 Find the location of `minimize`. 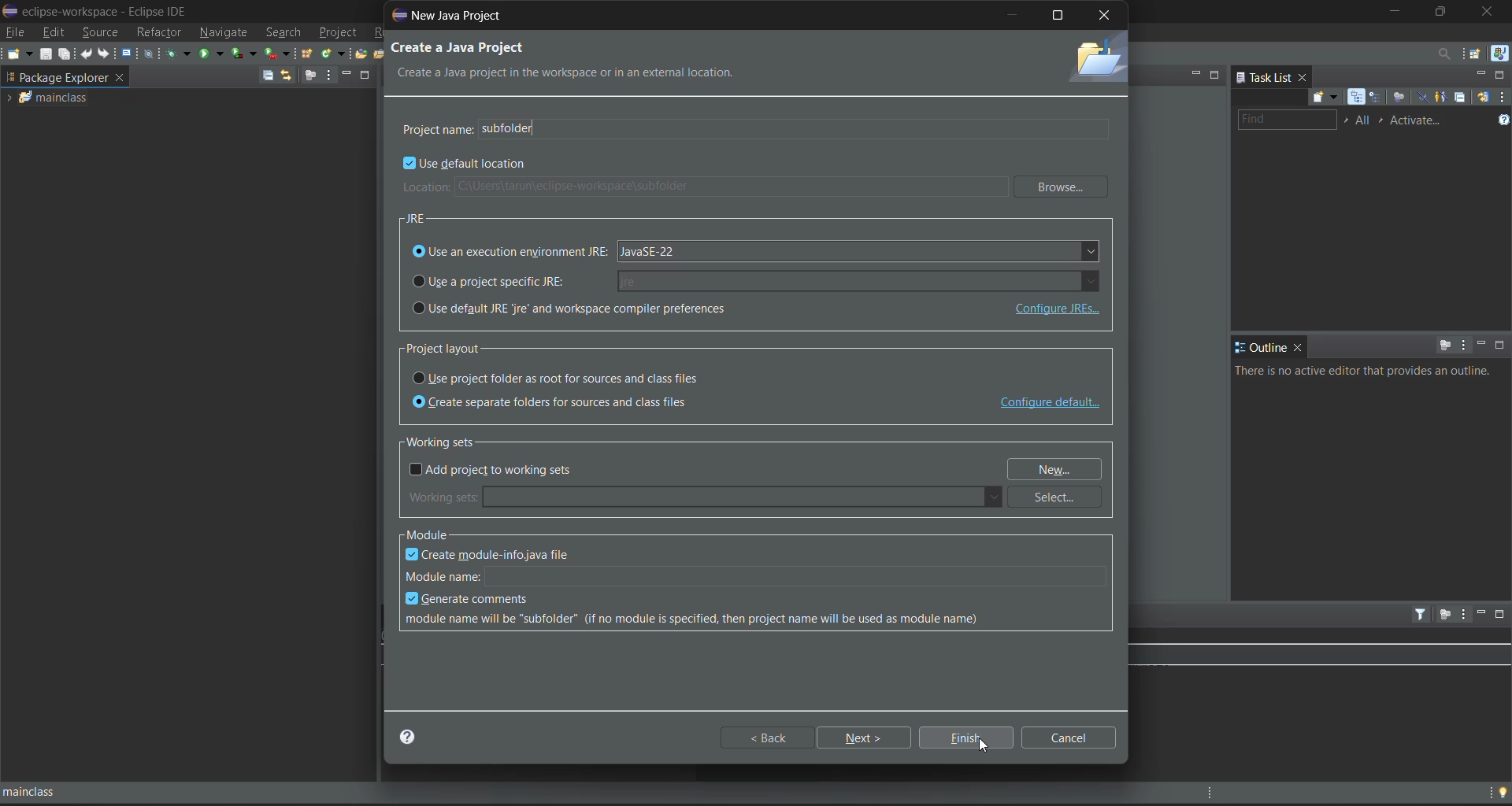

minimize is located at coordinates (1195, 73).